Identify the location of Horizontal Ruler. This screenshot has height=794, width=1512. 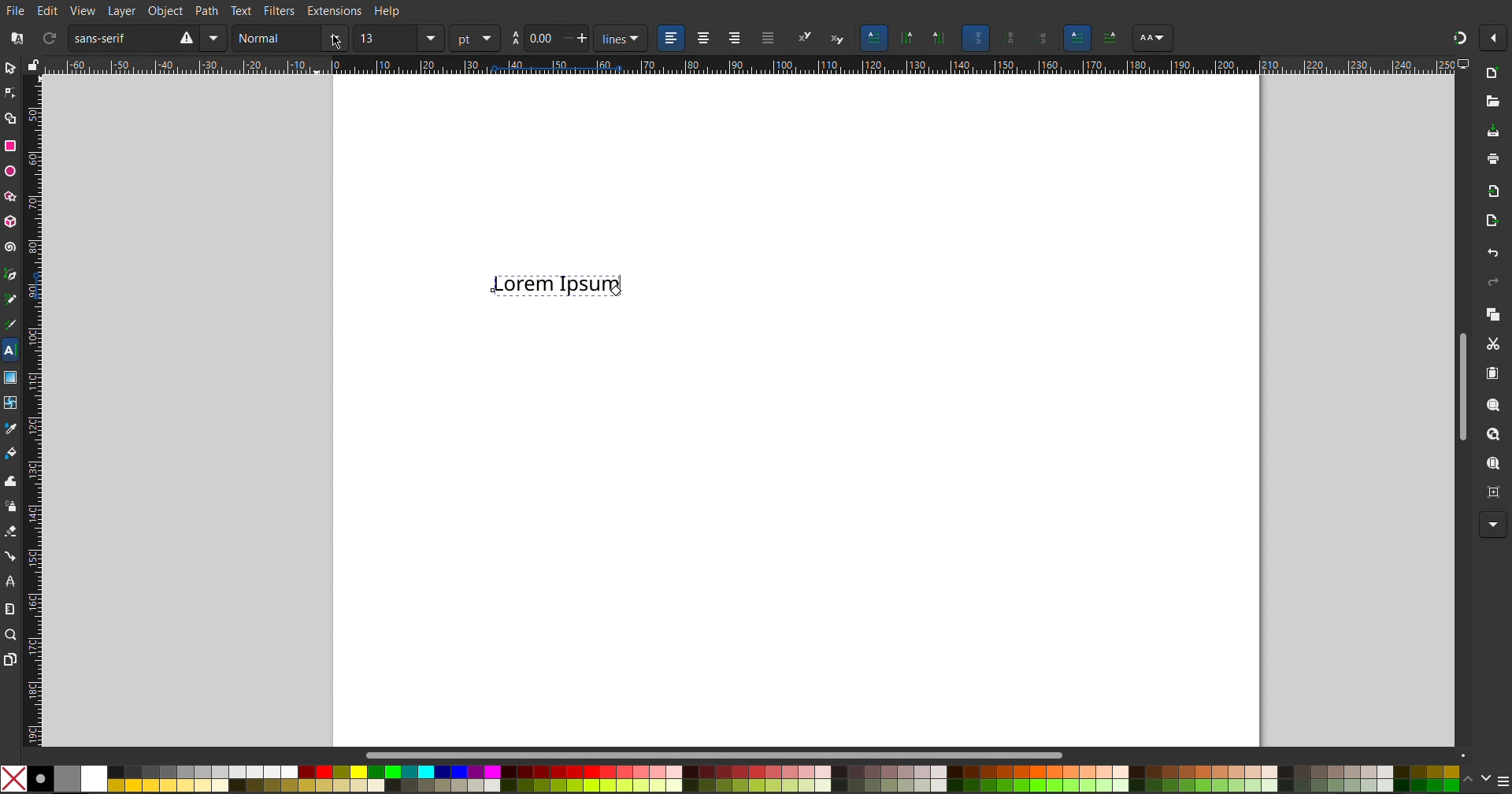
(743, 65).